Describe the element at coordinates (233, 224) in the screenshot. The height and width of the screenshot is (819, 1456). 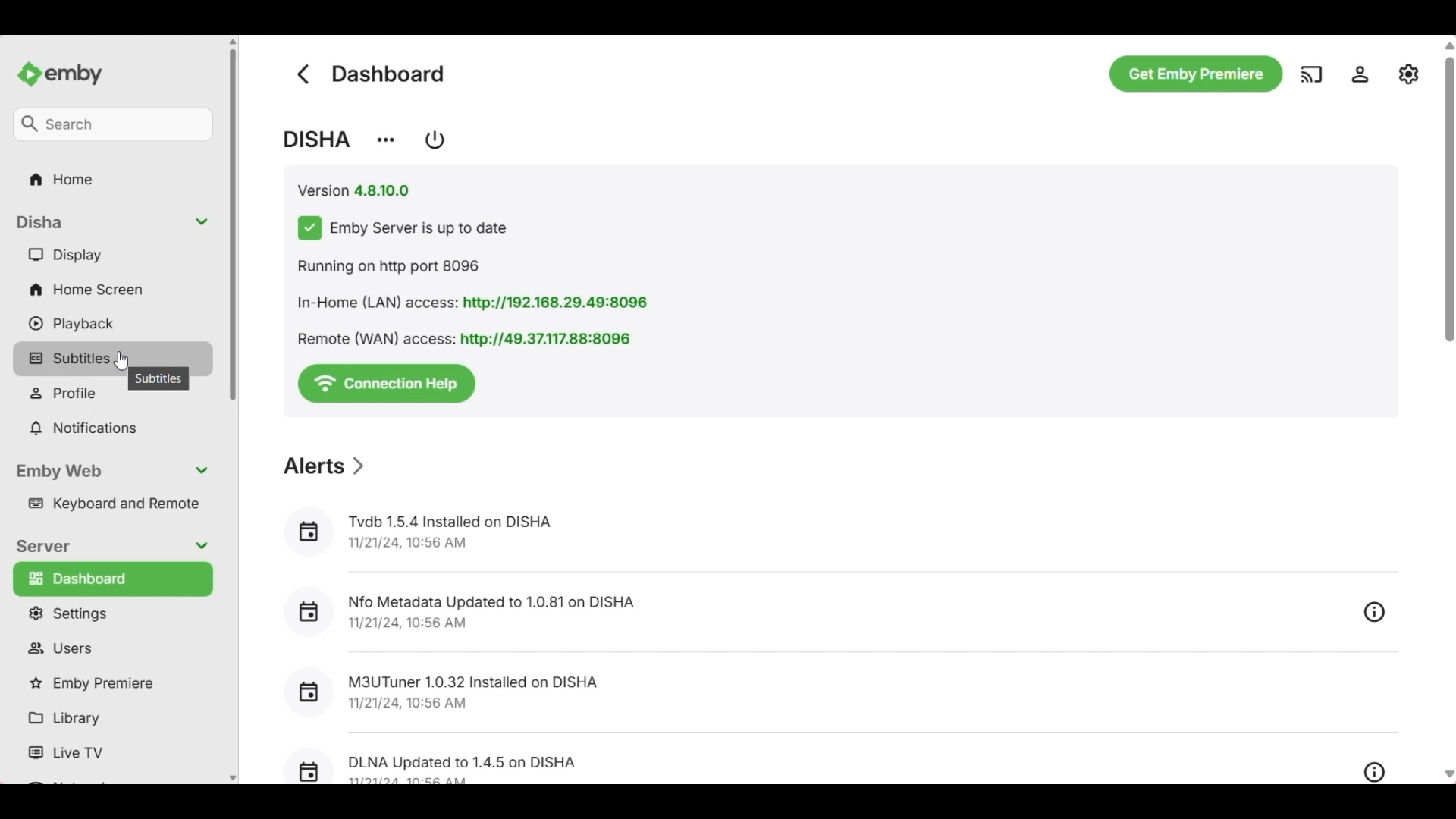
I see `Vertical slide bar for left panel` at that location.